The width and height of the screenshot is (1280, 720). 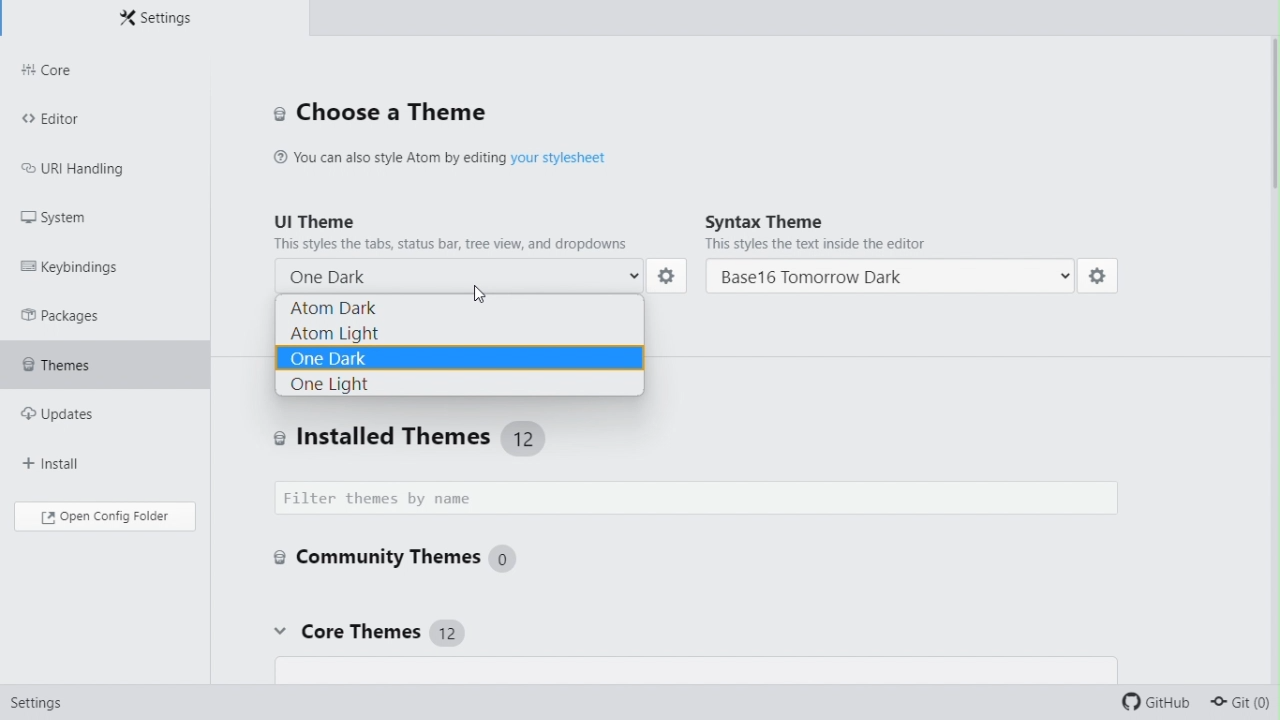 I want to click on choose a theme, so click(x=380, y=111).